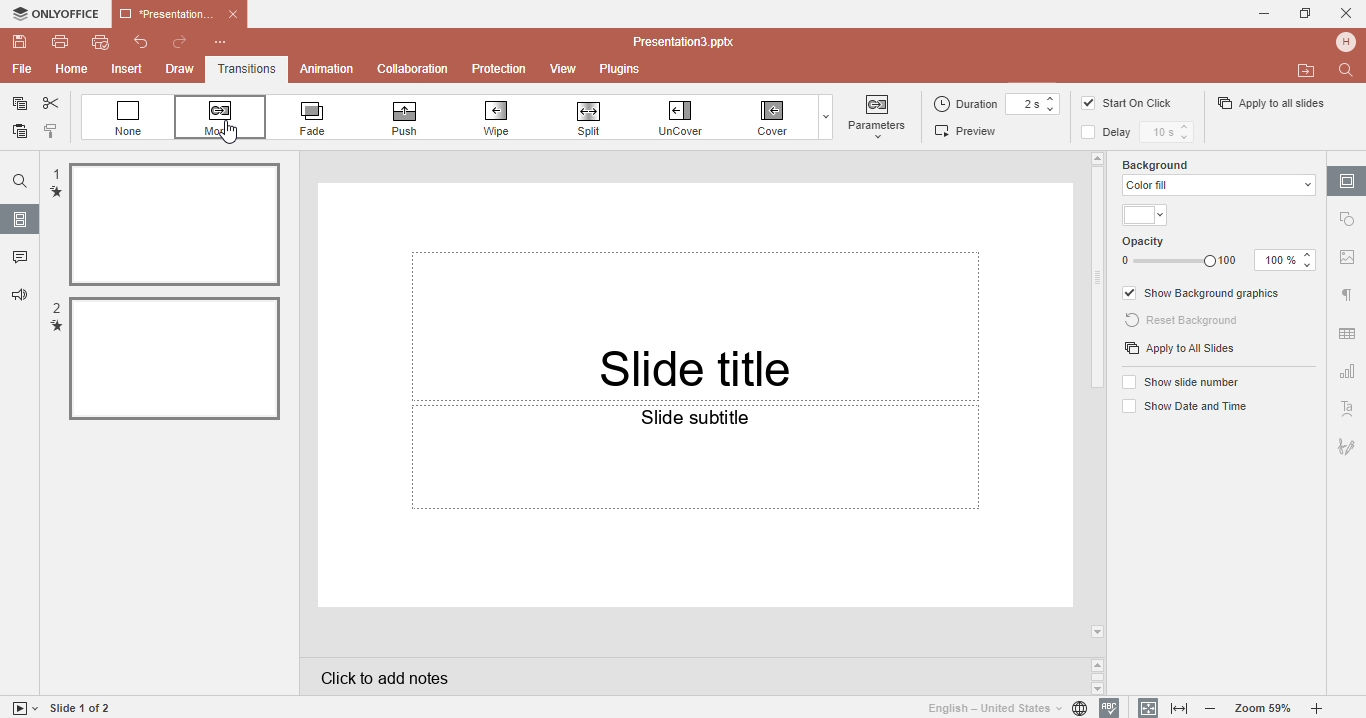 The image size is (1366, 718). What do you see at coordinates (413, 70) in the screenshot?
I see `Collabration` at bounding box center [413, 70].